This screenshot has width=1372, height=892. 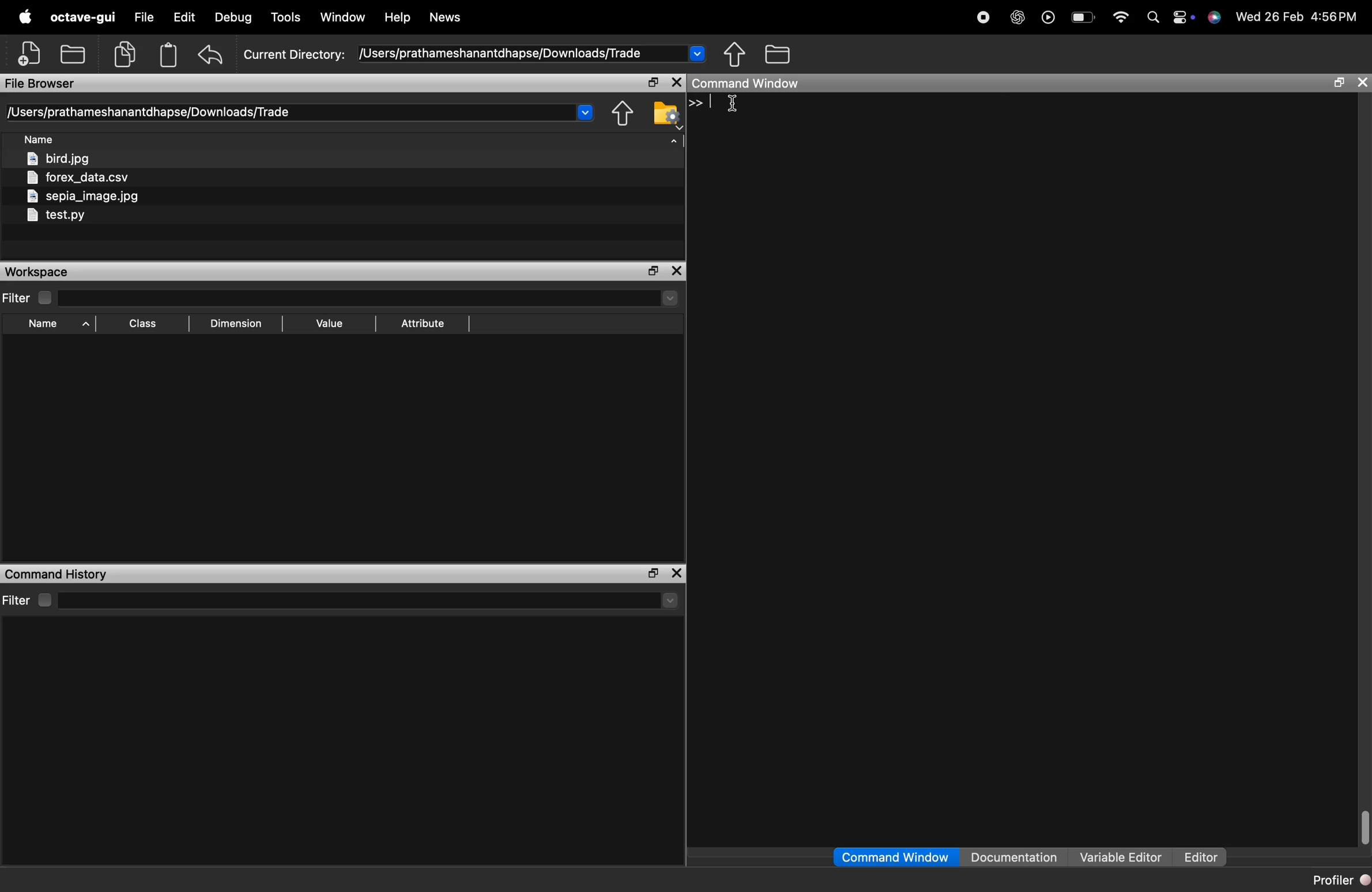 What do you see at coordinates (286, 17) in the screenshot?
I see `Tools` at bounding box center [286, 17].